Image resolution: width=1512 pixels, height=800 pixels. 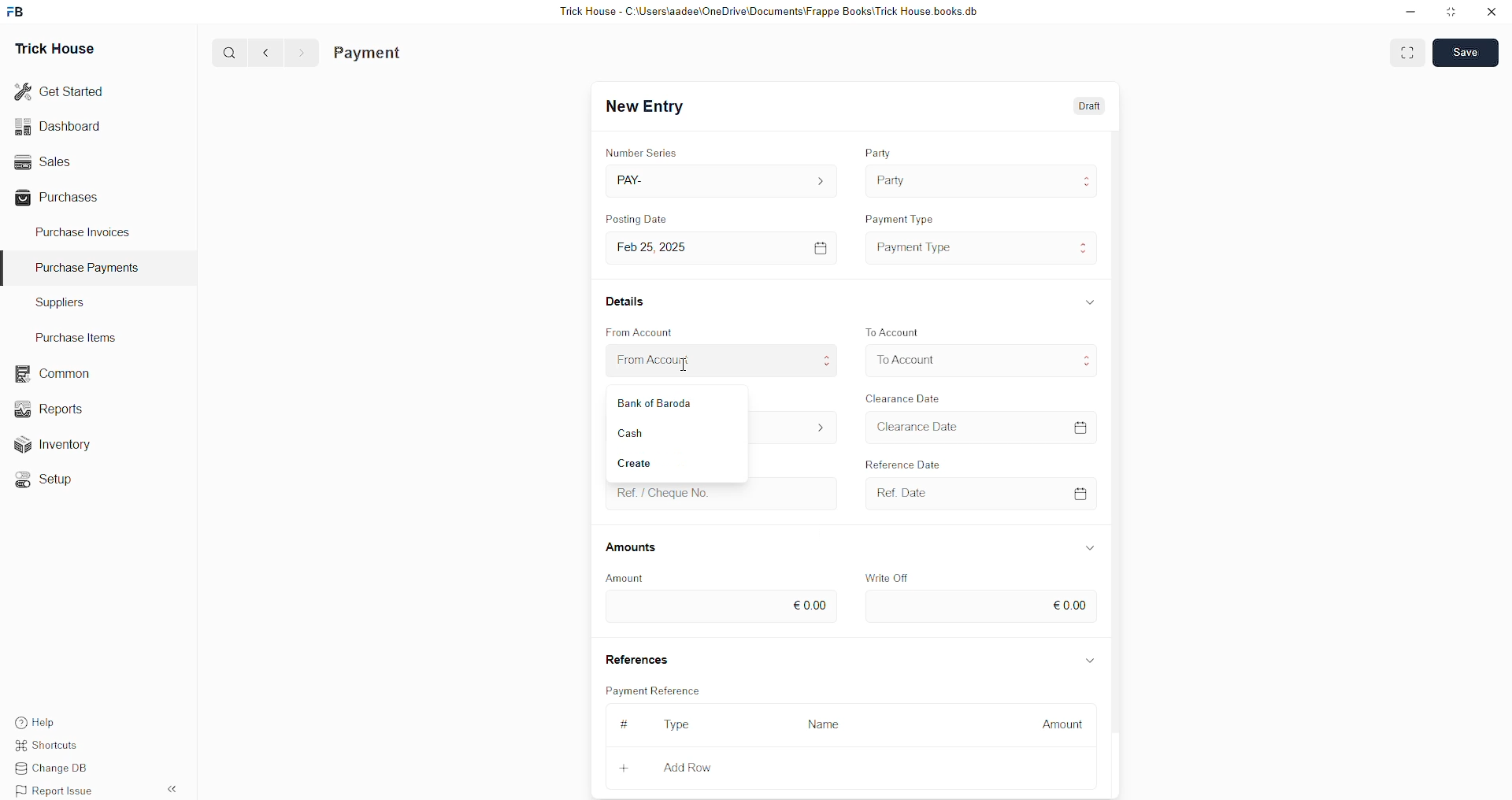 I want to click on Payment Method, so click(x=654, y=399).